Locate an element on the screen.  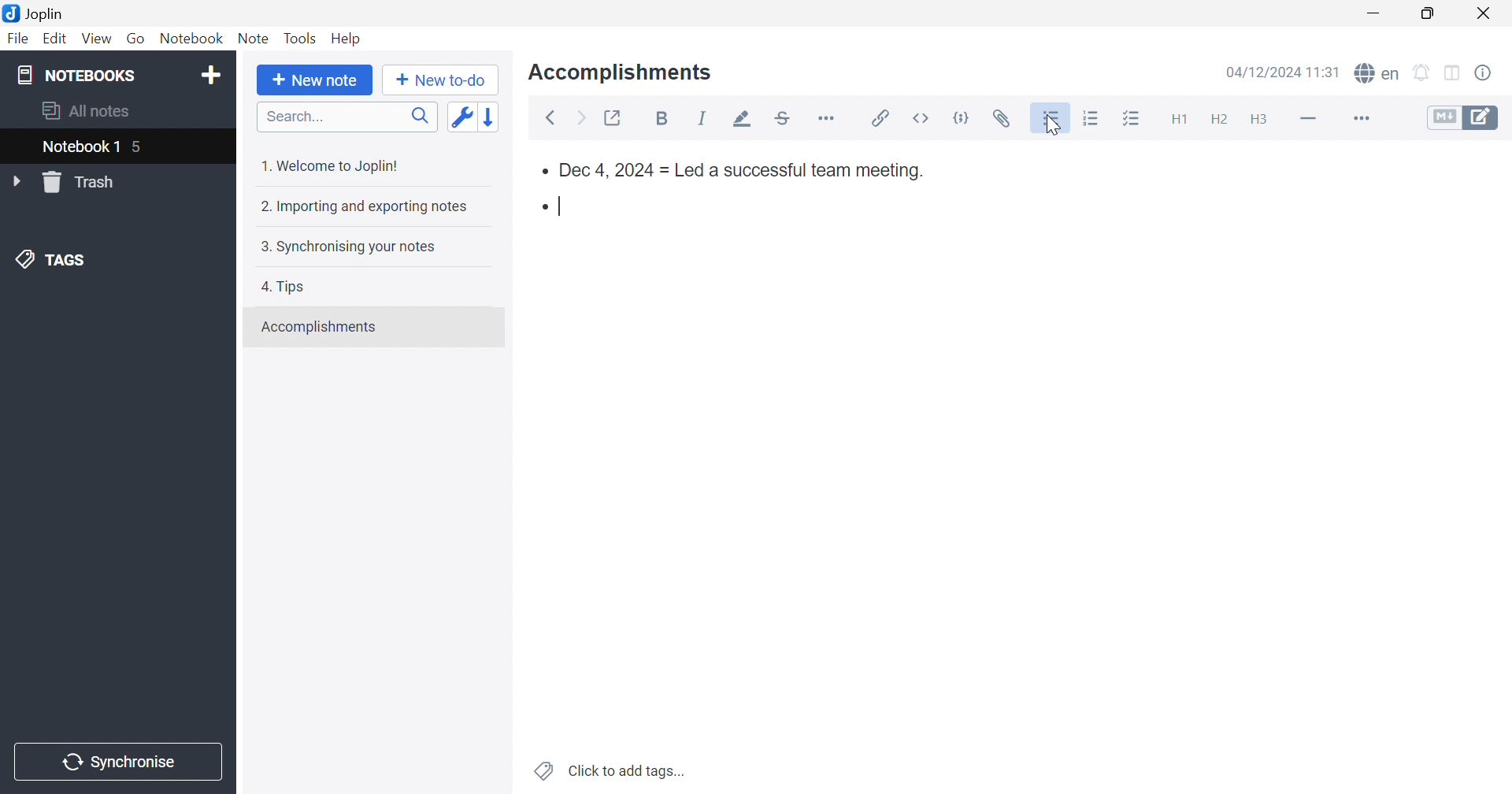
Set alarm is located at coordinates (1425, 74).